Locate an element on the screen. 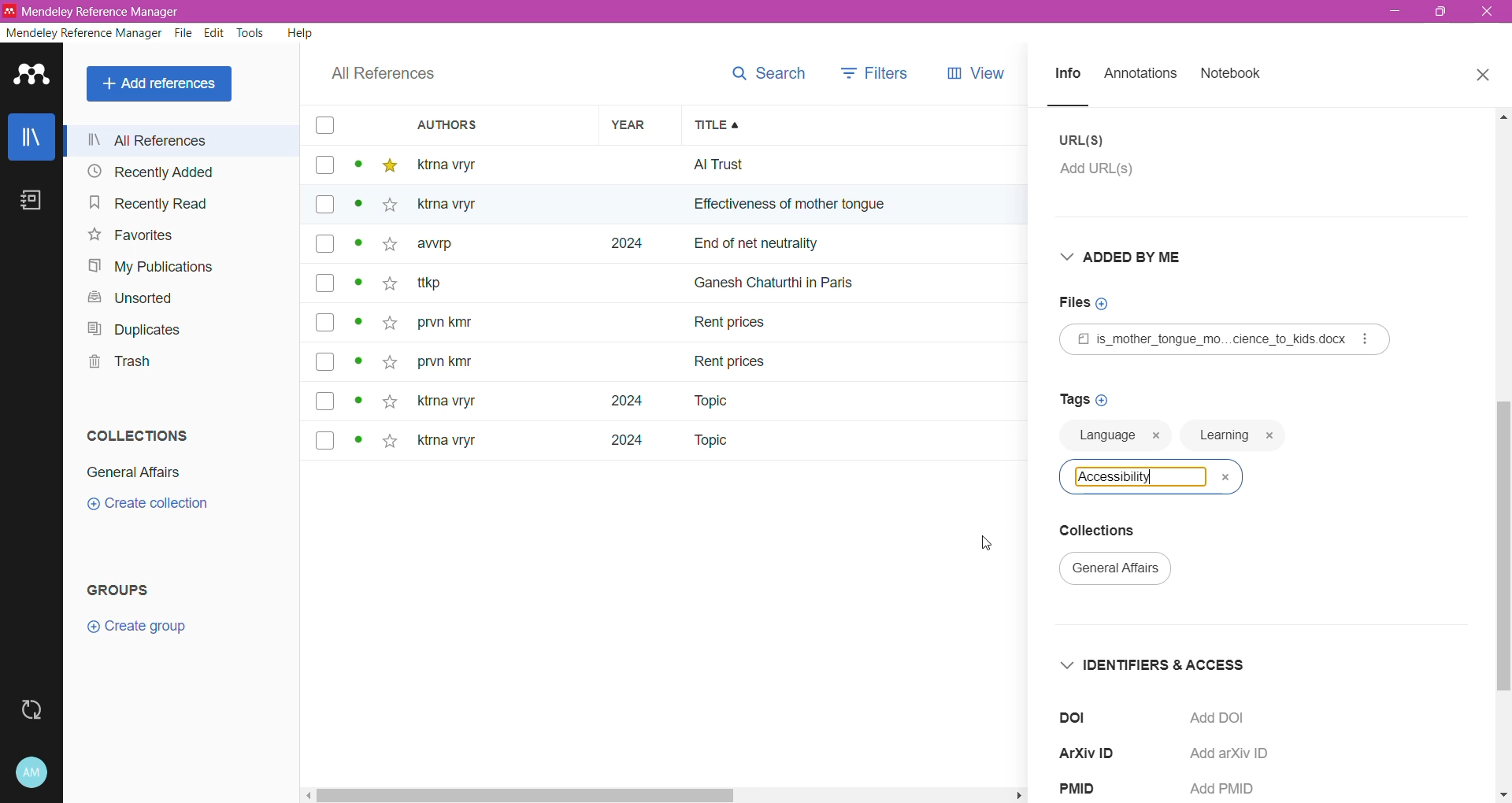  Application Logo is located at coordinates (32, 76).